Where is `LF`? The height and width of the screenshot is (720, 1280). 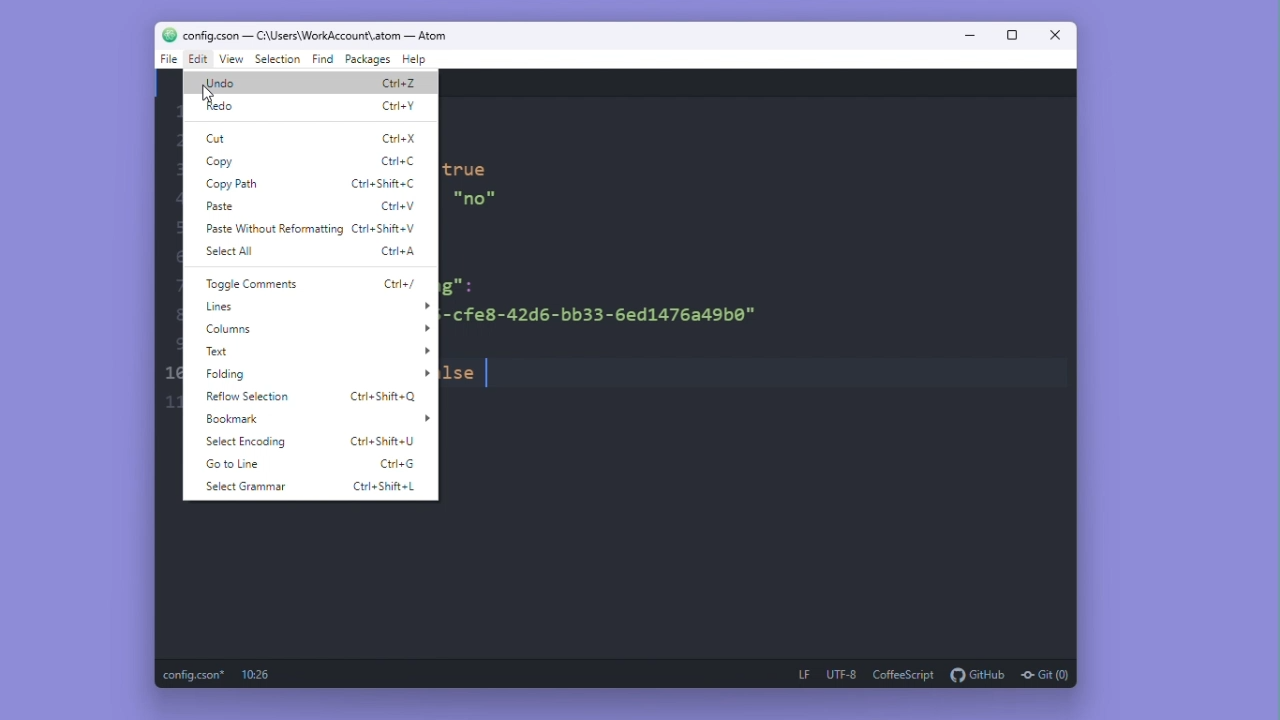
LF is located at coordinates (797, 672).